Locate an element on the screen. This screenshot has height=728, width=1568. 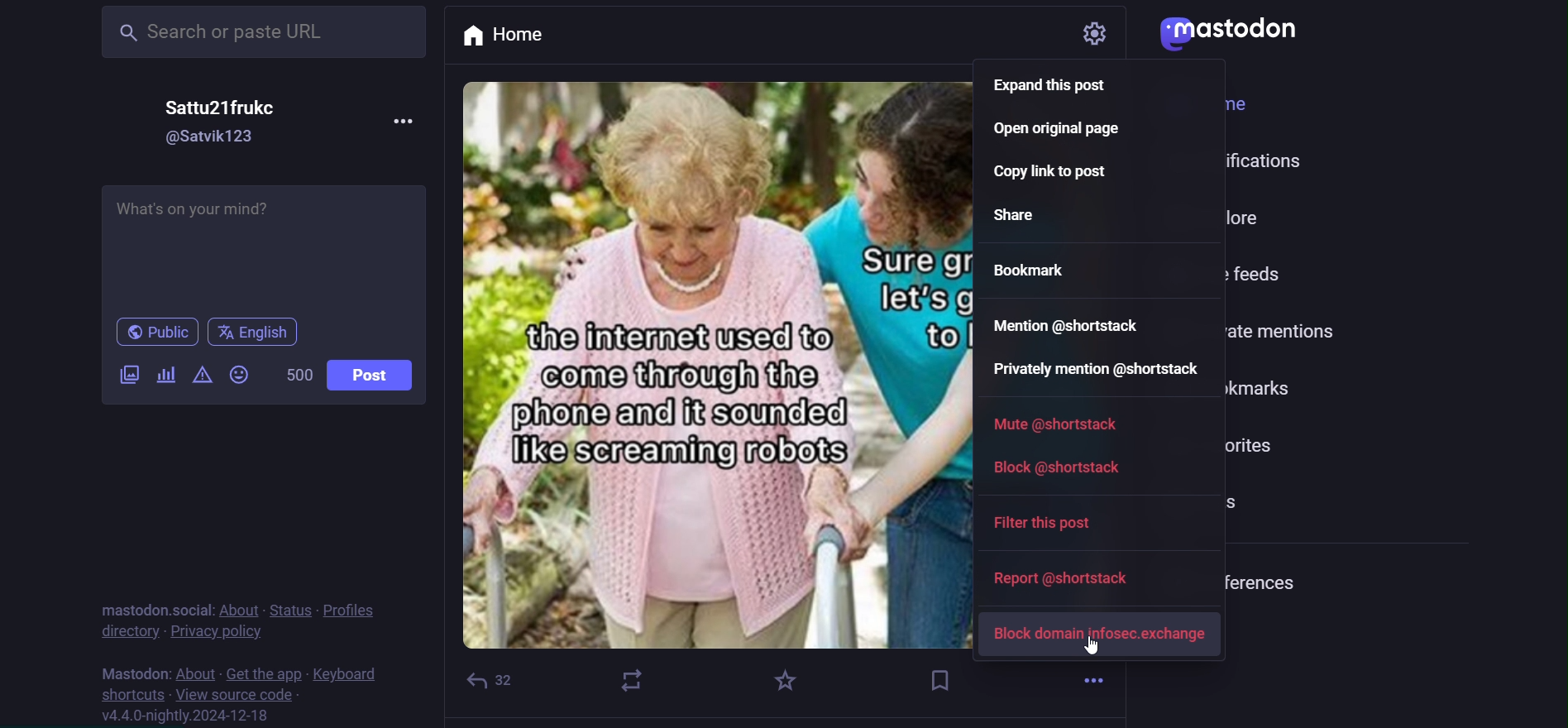
shortcut is located at coordinates (128, 694).